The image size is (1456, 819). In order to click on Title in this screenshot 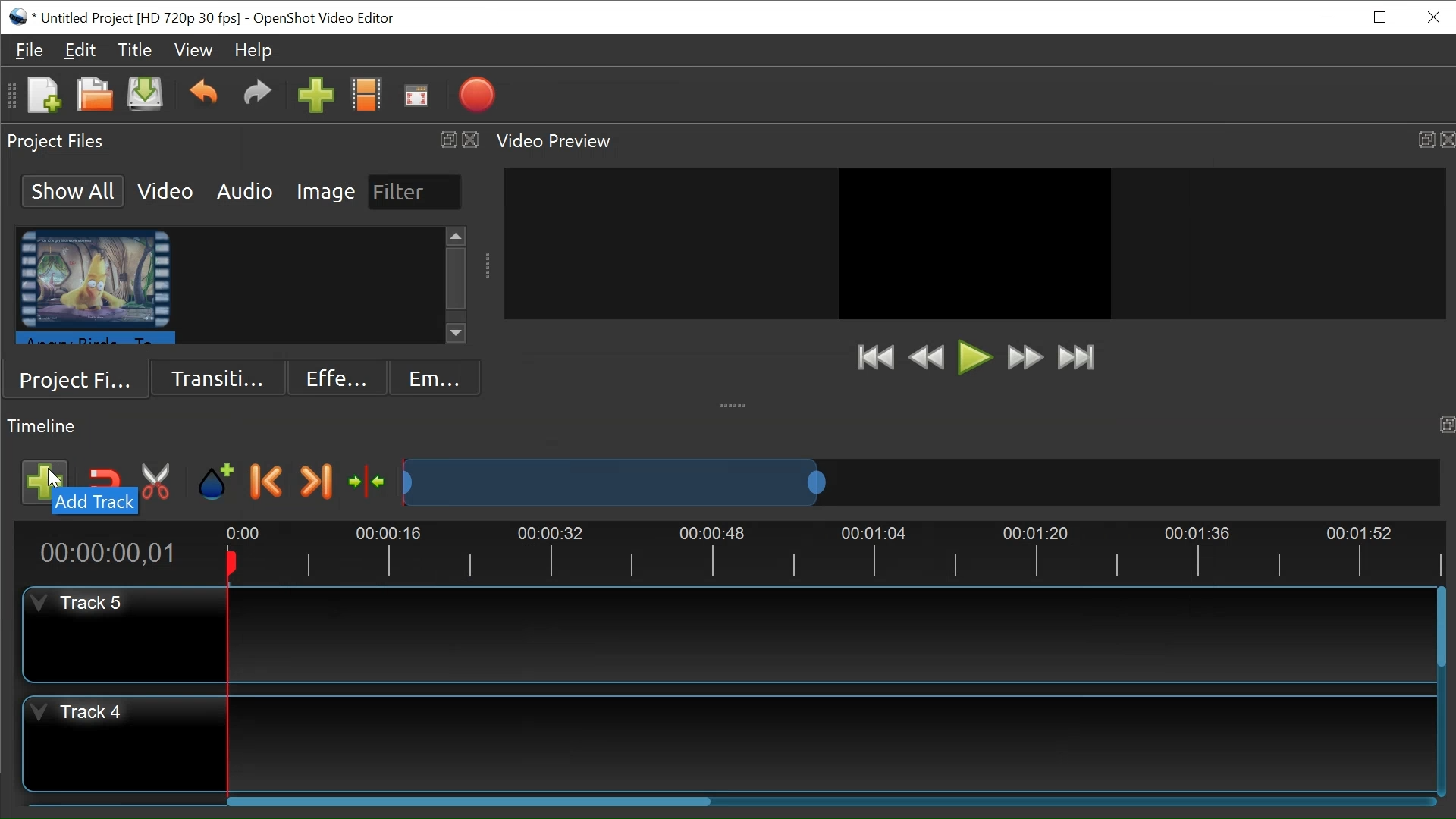, I will do `click(133, 49)`.